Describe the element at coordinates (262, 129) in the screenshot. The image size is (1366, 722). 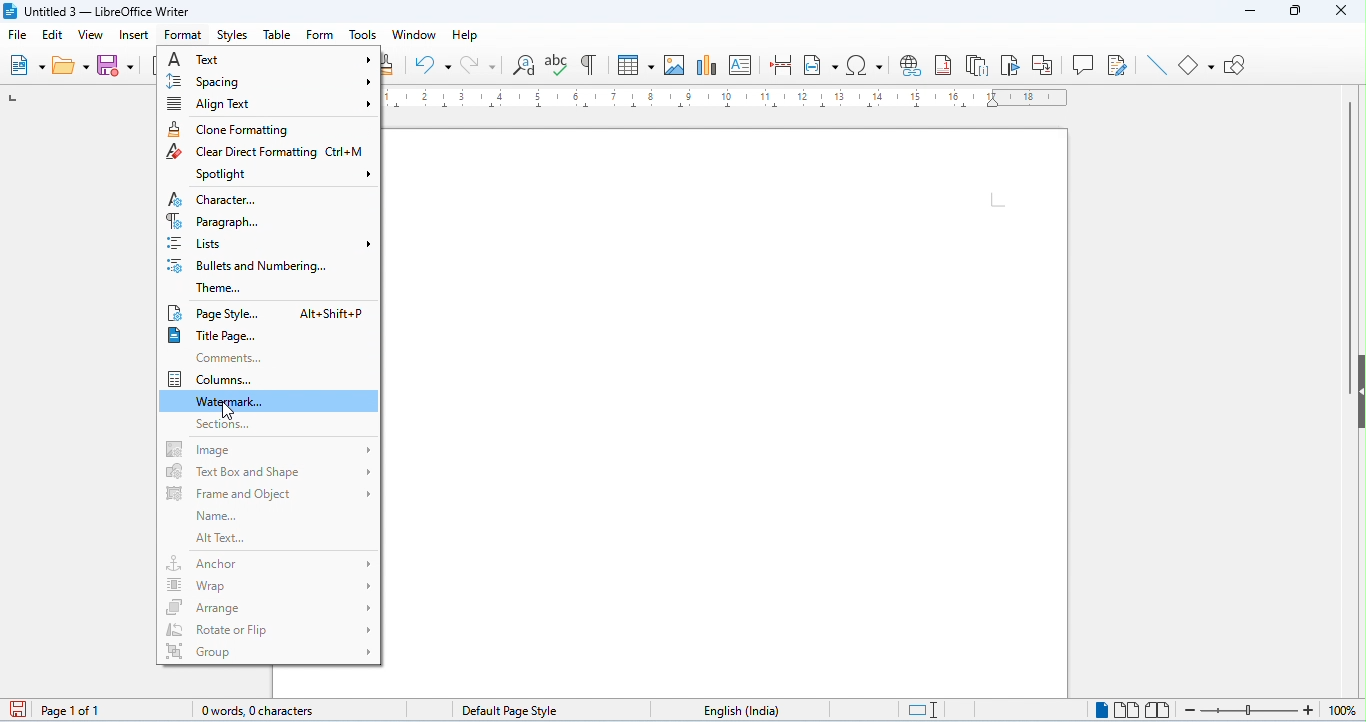
I see `clone formatting` at that location.